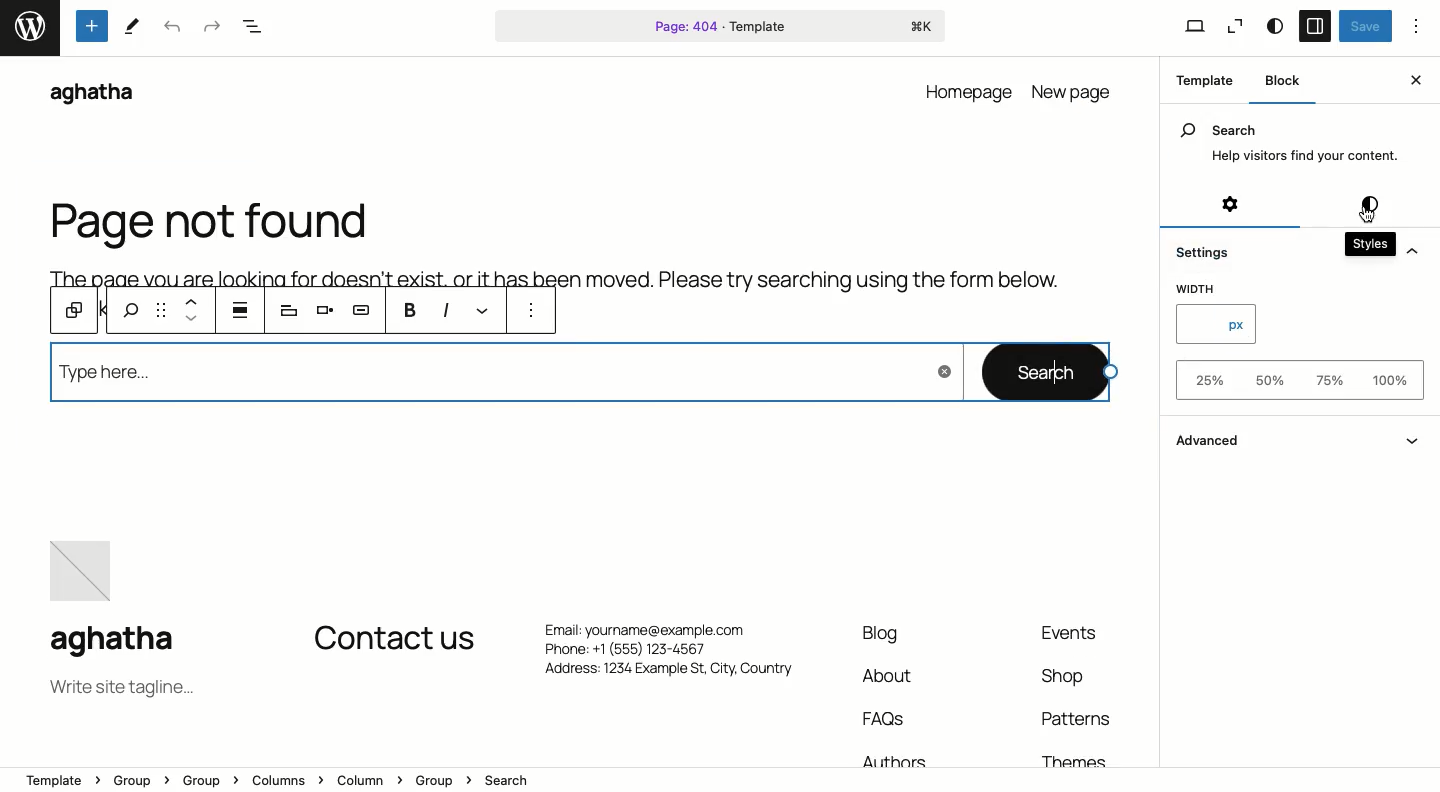 This screenshot has height=792, width=1440. What do you see at coordinates (190, 313) in the screenshot?
I see `Move up and down` at bounding box center [190, 313].